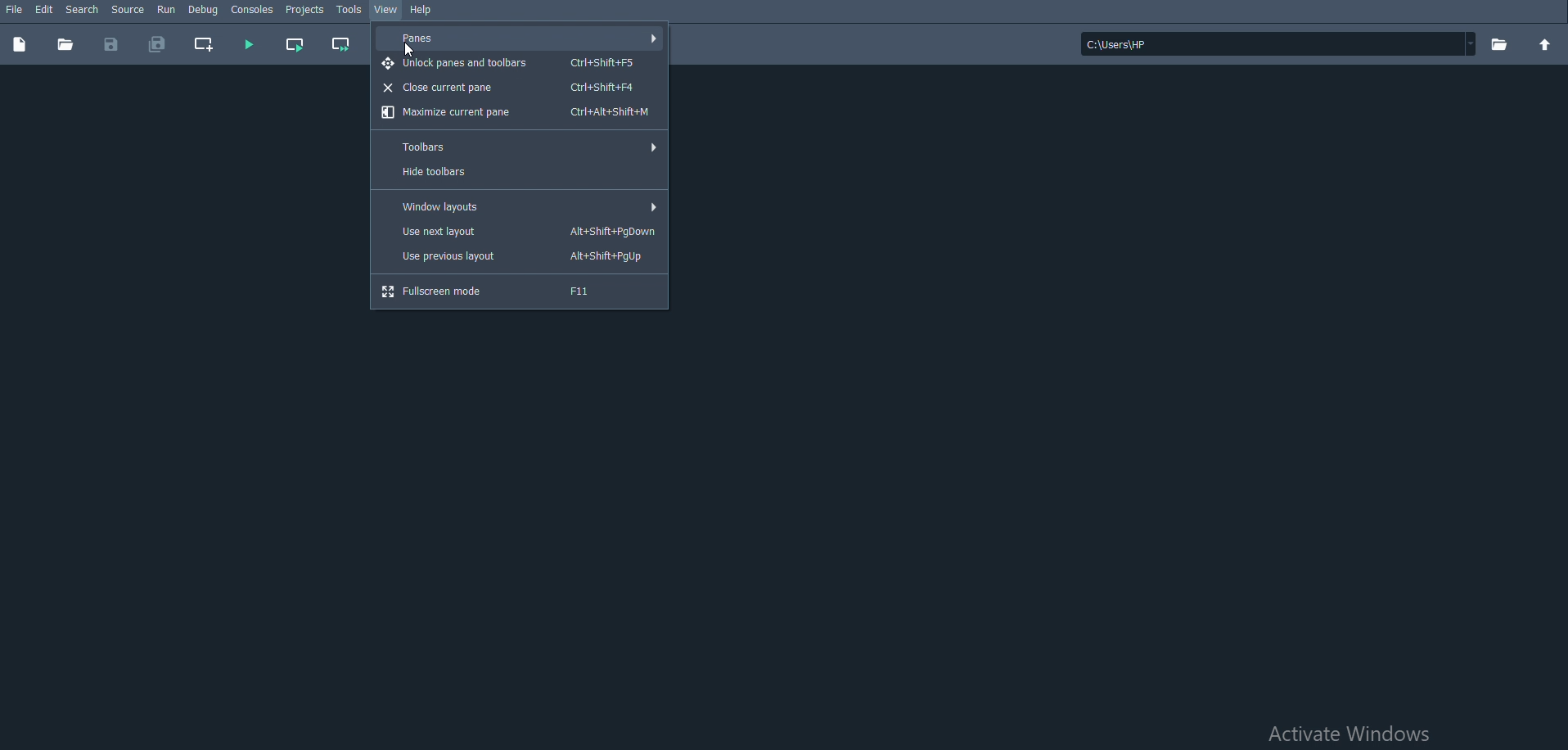  What do you see at coordinates (1545, 44) in the screenshot?
I see `Change to parent directory` at bounding box center [1545, 44].